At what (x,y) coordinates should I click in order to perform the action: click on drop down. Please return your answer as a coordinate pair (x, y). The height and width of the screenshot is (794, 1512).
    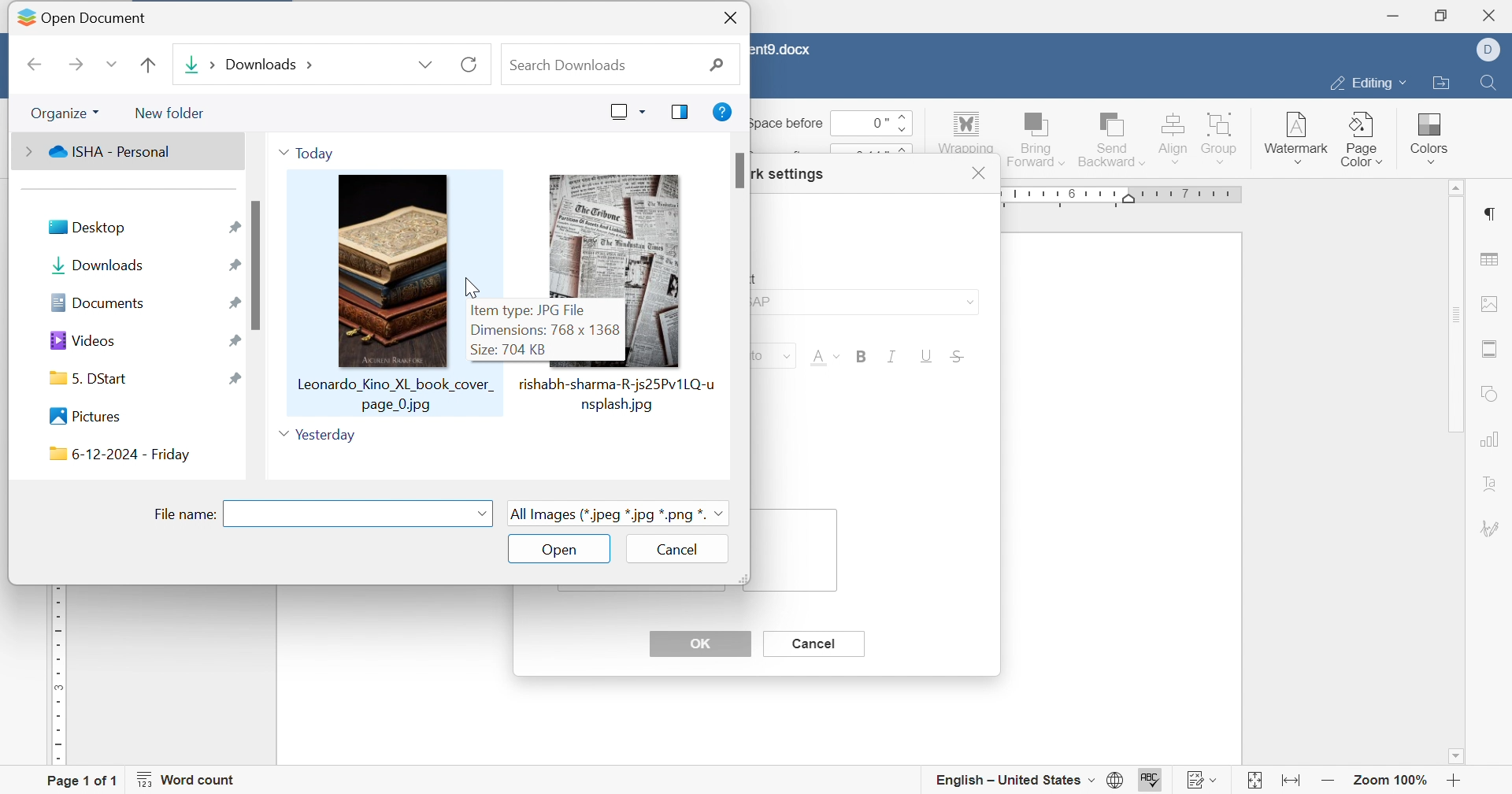
    Looking at the image, I should click on (480, 514).